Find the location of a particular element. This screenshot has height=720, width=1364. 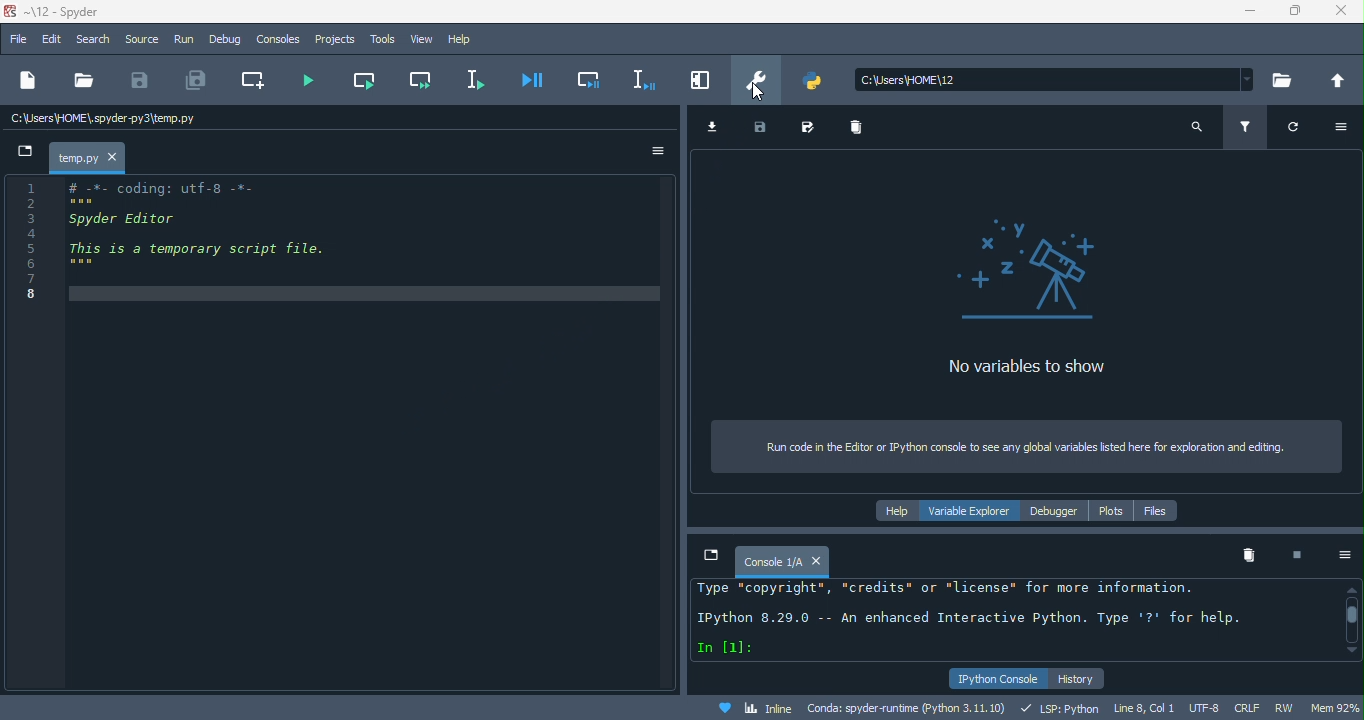

files is located at coordinates (1156, 511).